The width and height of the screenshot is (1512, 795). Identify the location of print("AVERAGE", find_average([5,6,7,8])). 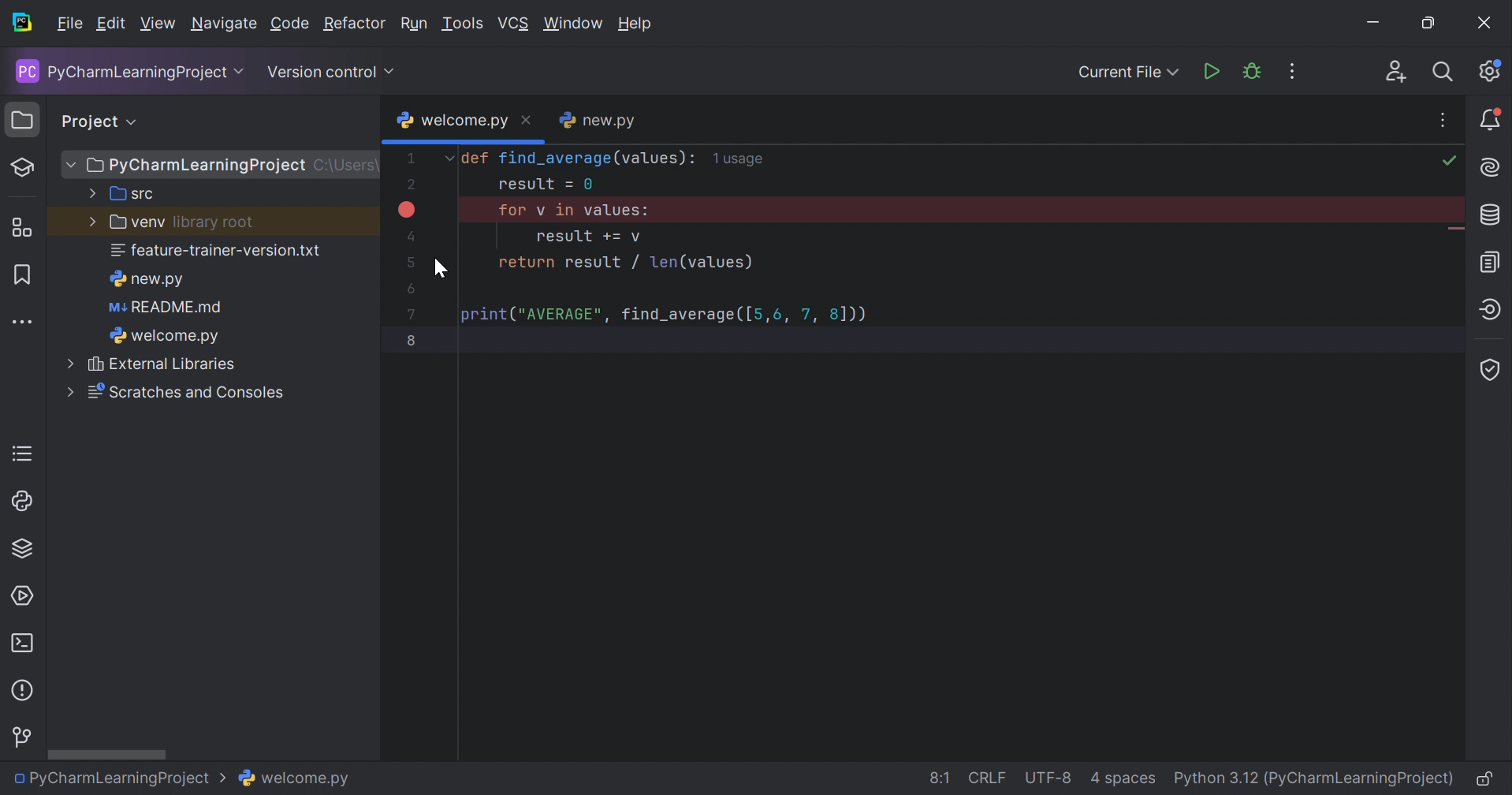
(665, 313).